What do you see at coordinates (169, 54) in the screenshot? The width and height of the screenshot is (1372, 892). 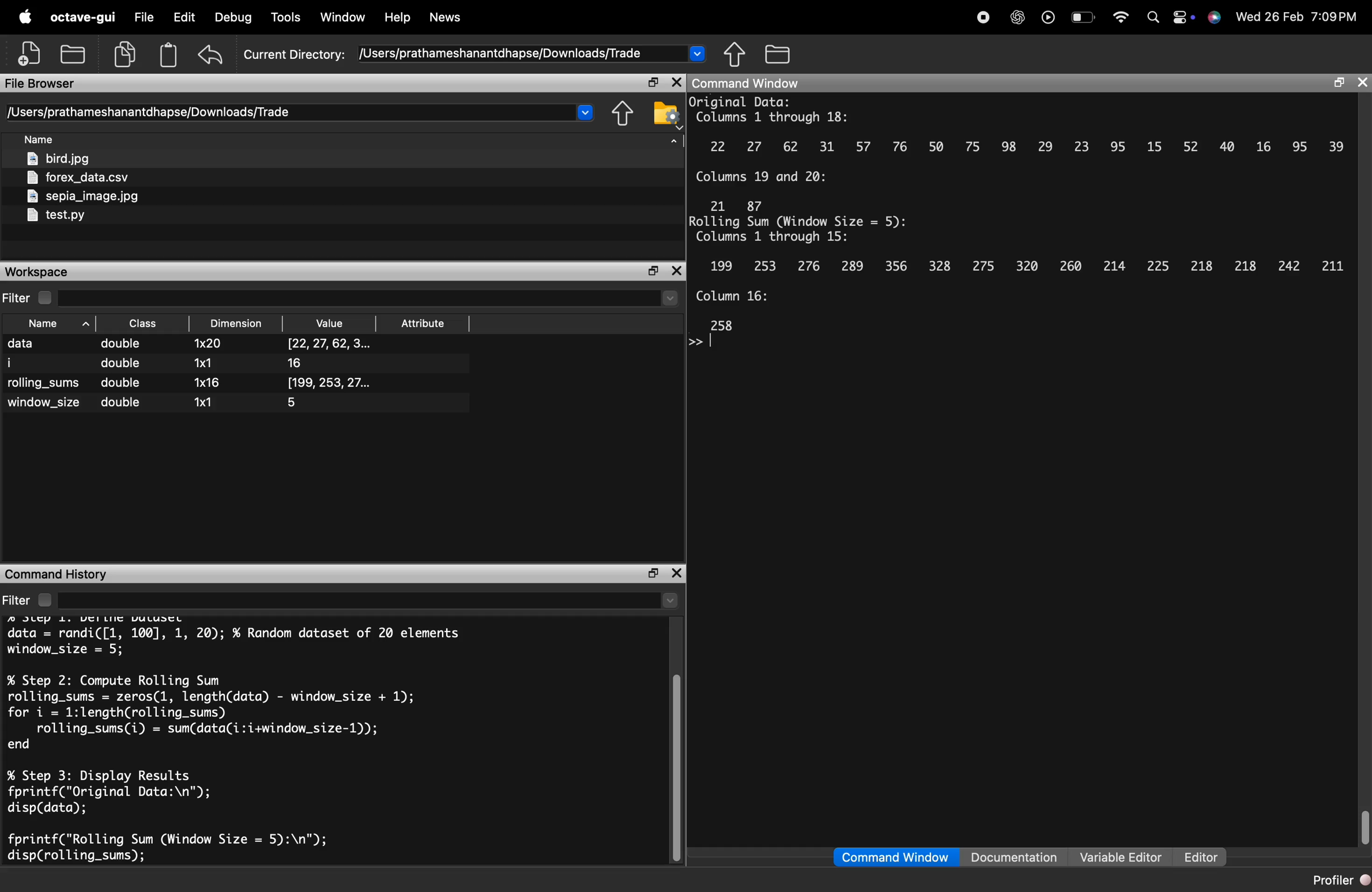 I see `paste` at bounding box center [169, 54].